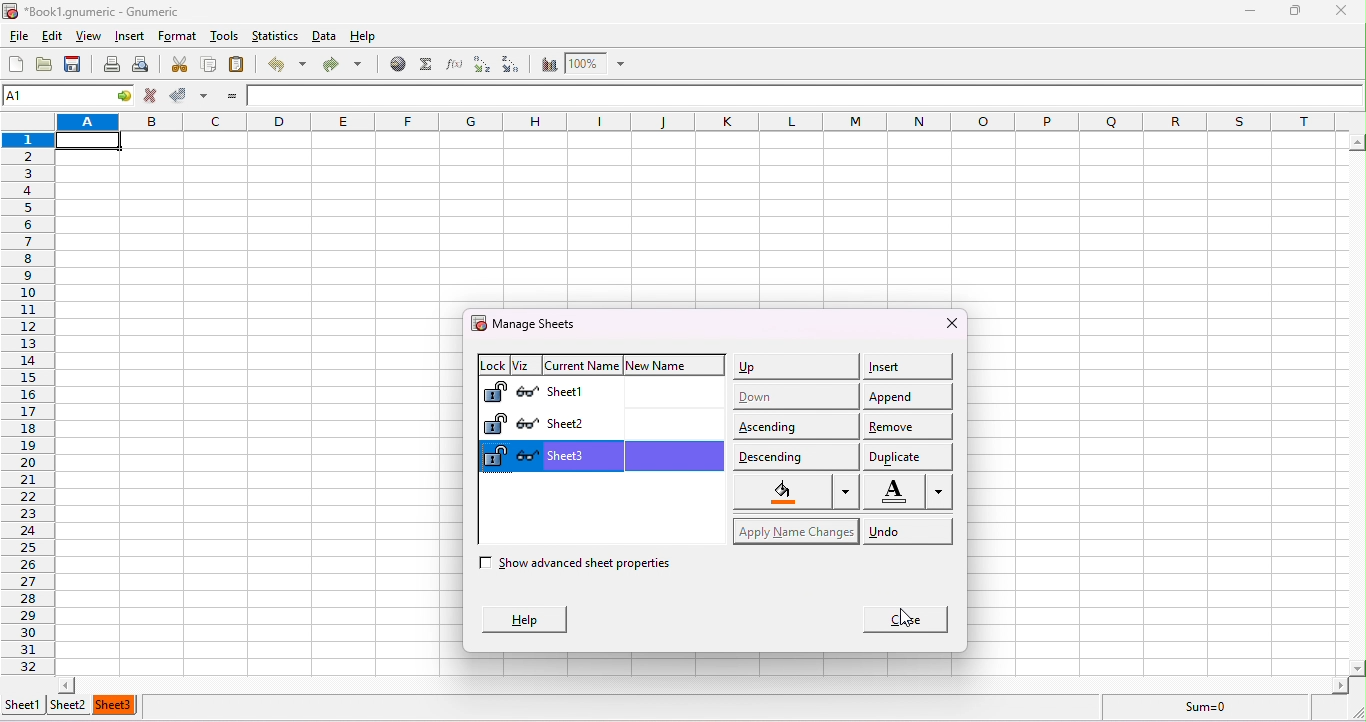 The width and height of the screenshot is (1366, 722). Describe the element at coordinates (602, 64) in the screenshot. I see `zoom` at that location.